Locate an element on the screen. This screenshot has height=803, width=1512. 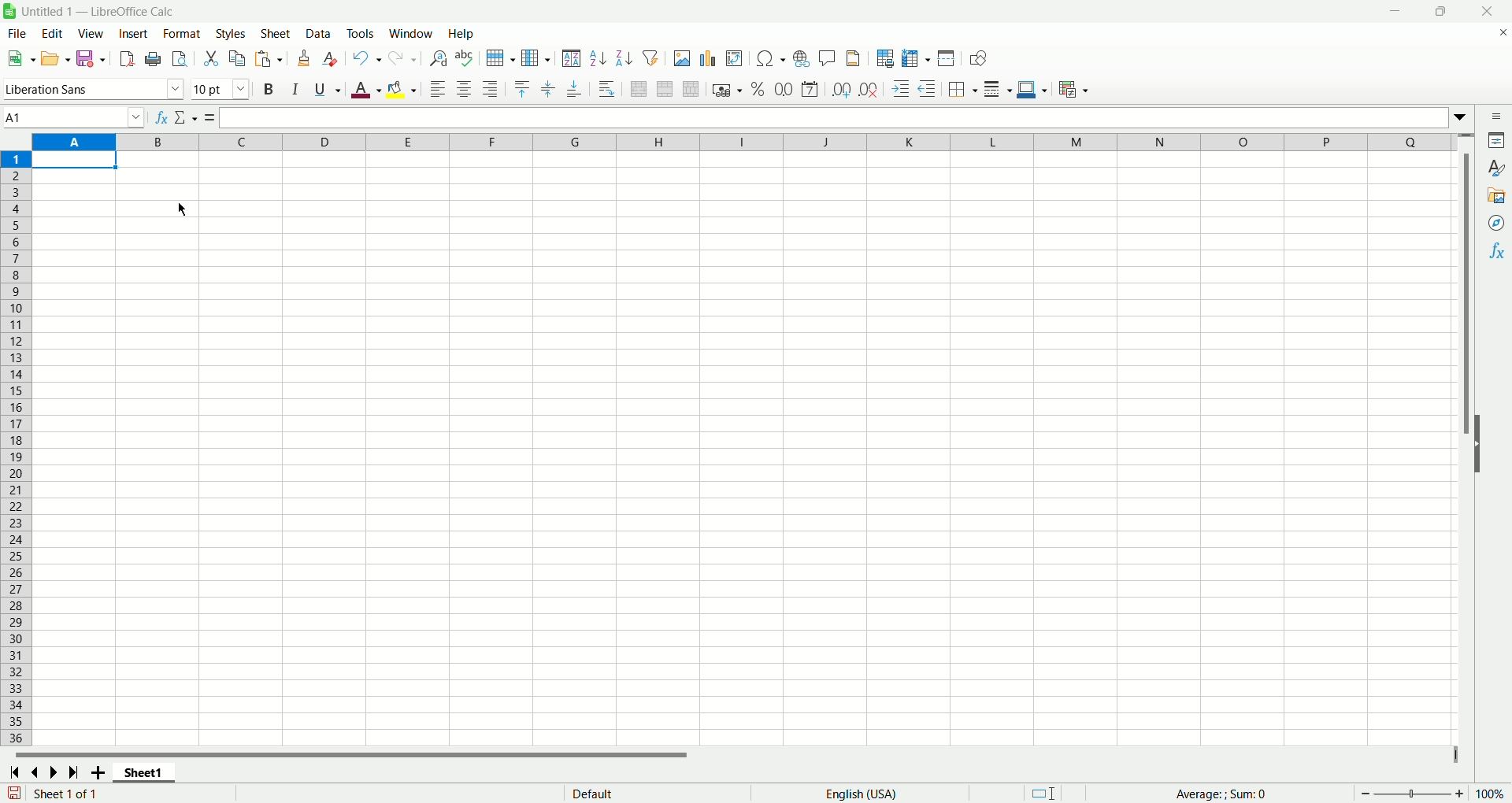
sidebar settings is located at coordinates (1496, 117).